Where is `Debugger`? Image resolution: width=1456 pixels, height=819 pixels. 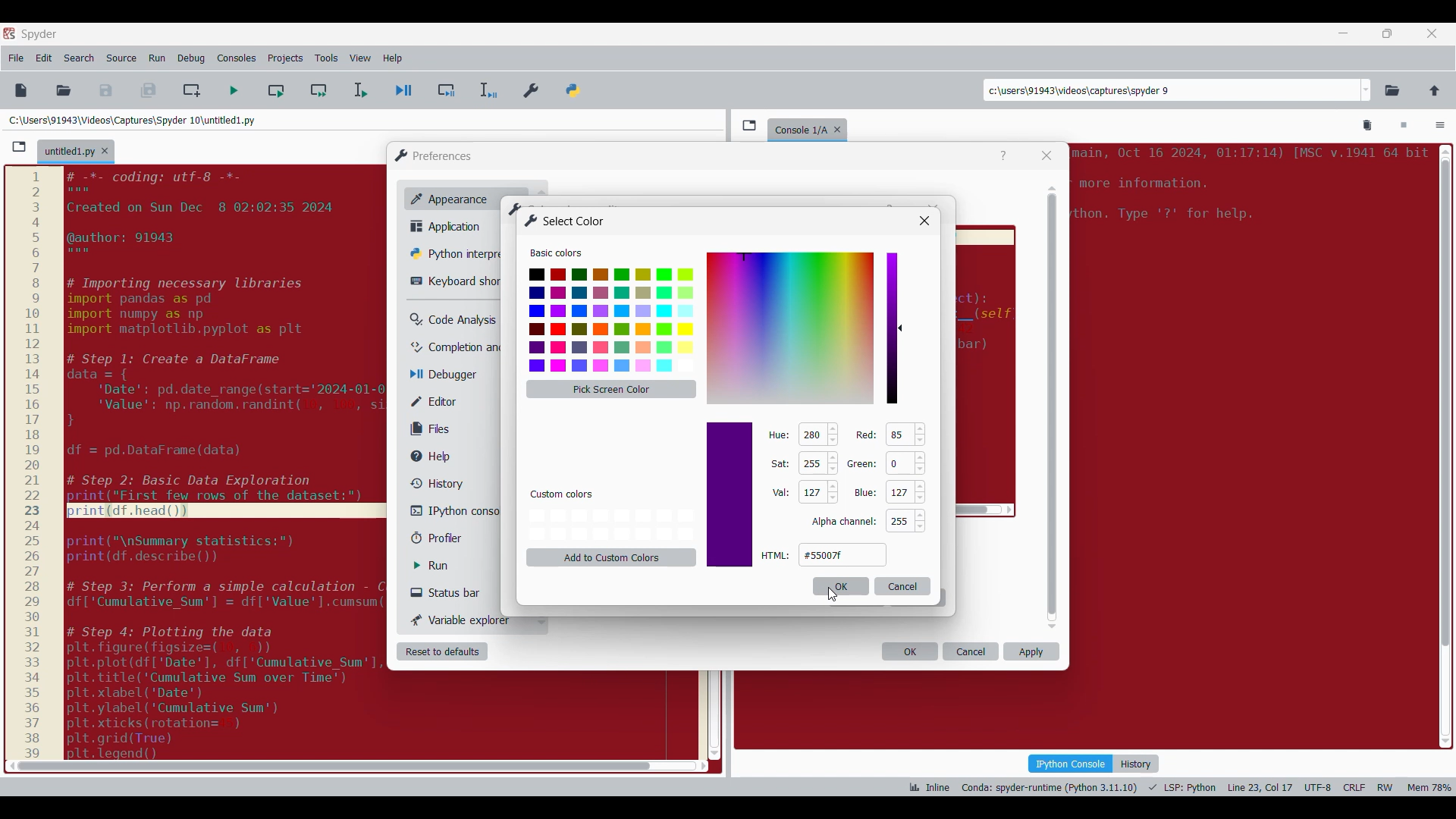 Debugger is located at coordinates (450, 375).